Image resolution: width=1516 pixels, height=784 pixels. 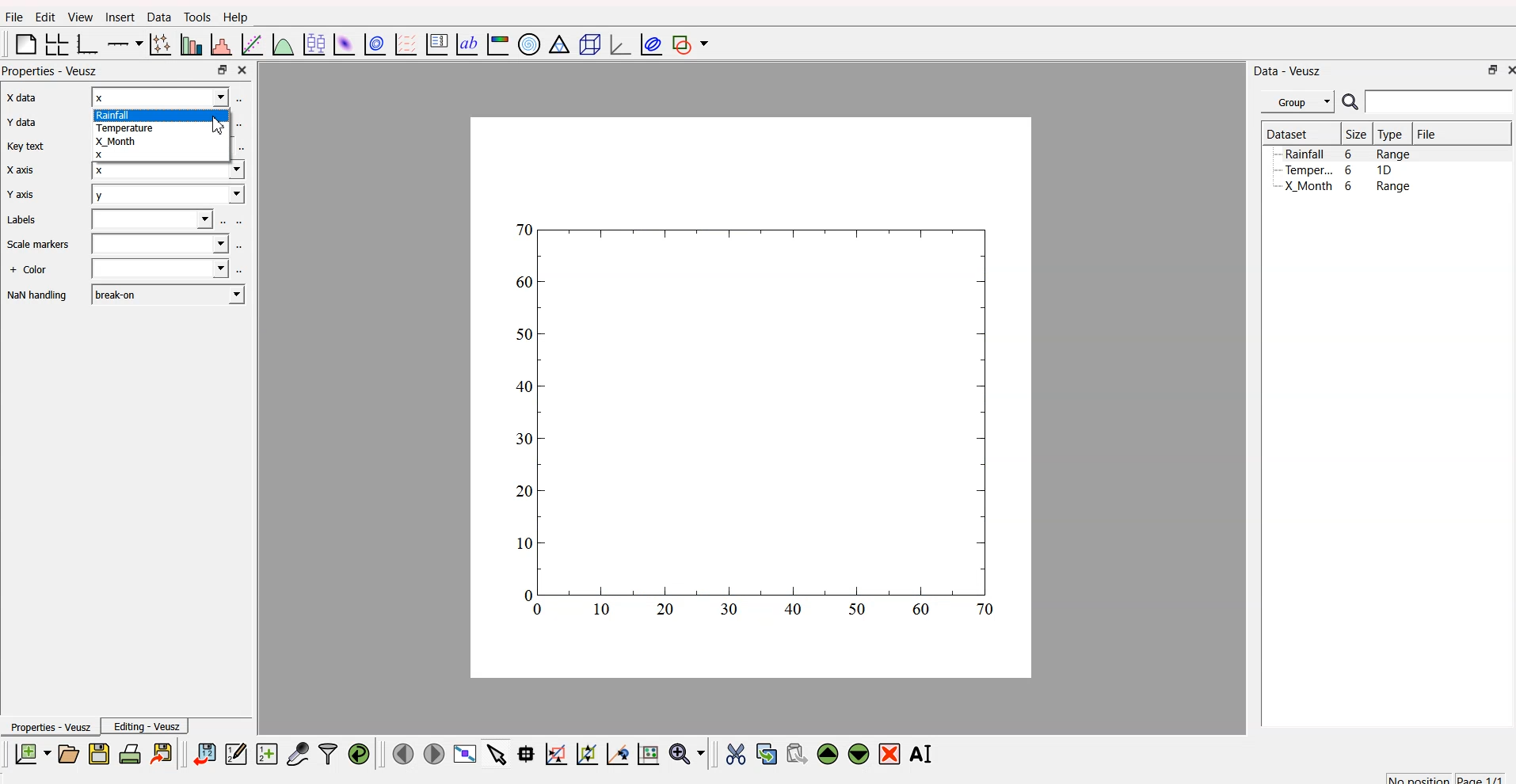 I want to click on canvas, so click(x=752, y=400).